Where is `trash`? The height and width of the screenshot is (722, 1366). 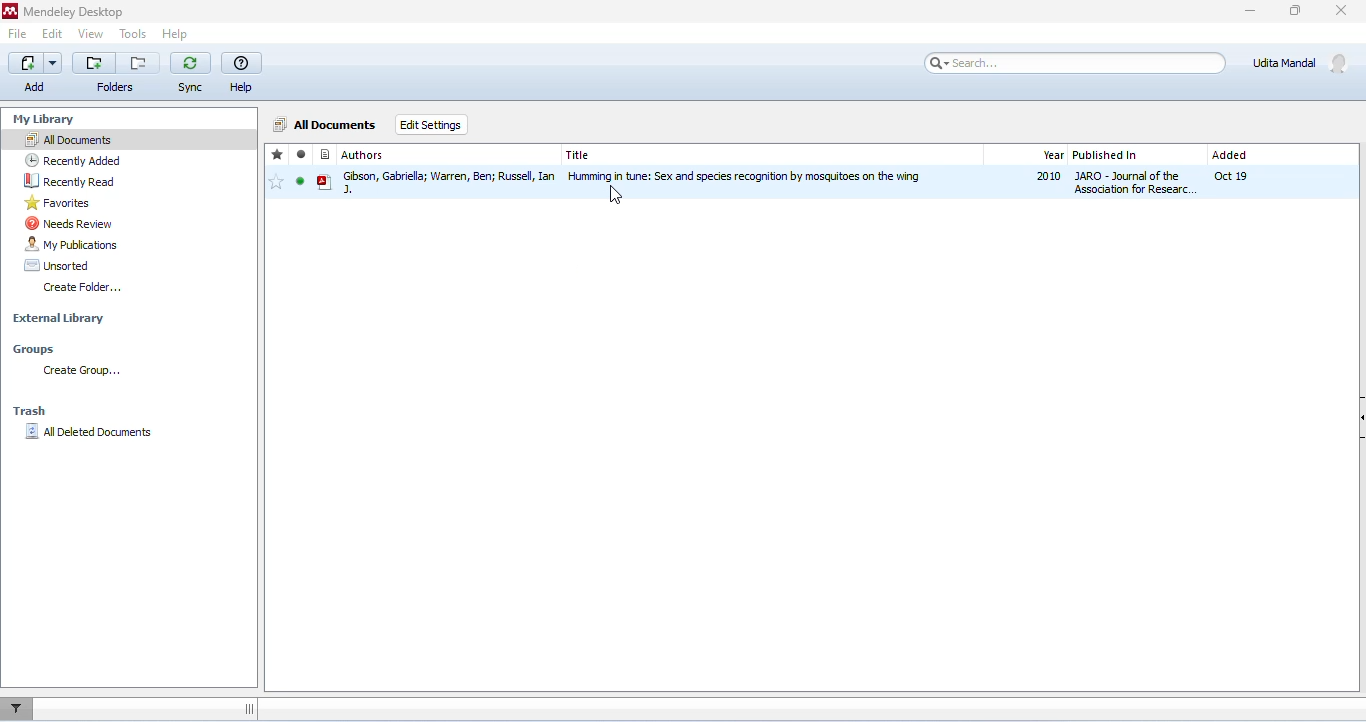 trash is located at coordinates (41, 409).